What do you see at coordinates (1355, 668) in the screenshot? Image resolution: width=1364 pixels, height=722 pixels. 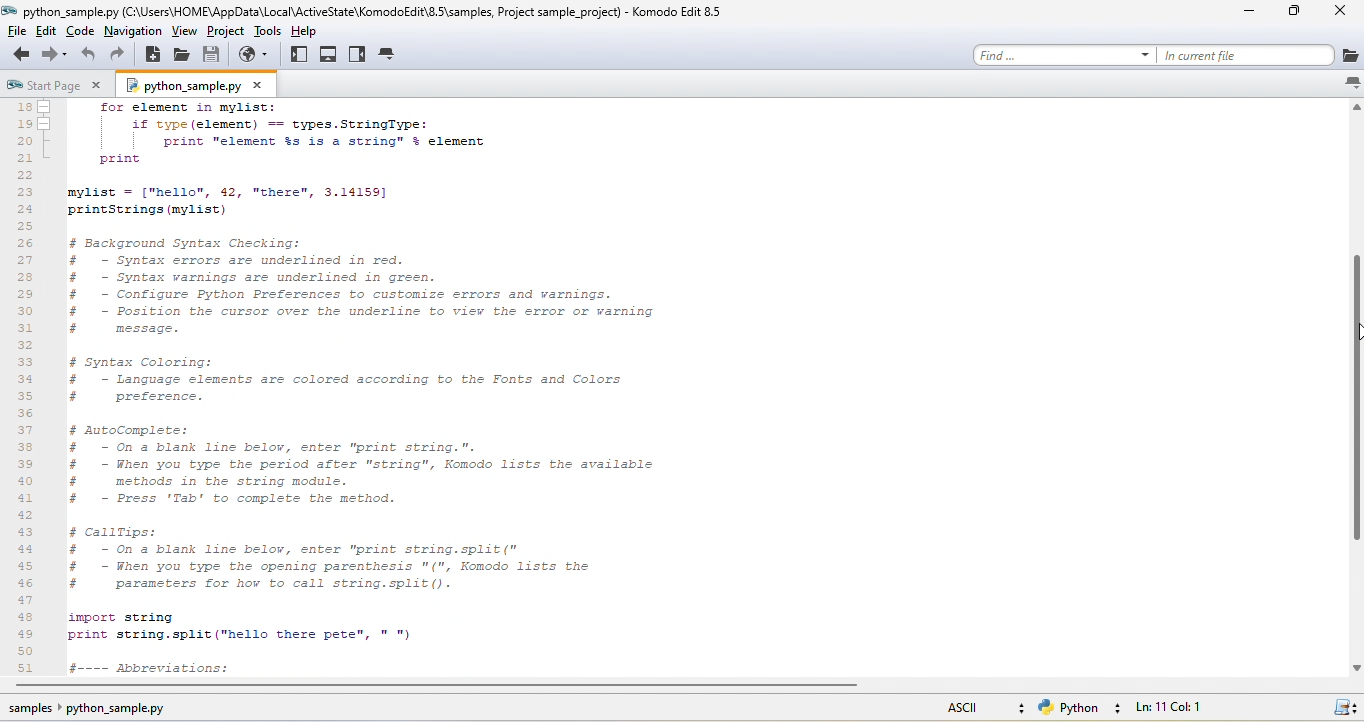 I see `scroll down` at bounding box center [1355, 668].